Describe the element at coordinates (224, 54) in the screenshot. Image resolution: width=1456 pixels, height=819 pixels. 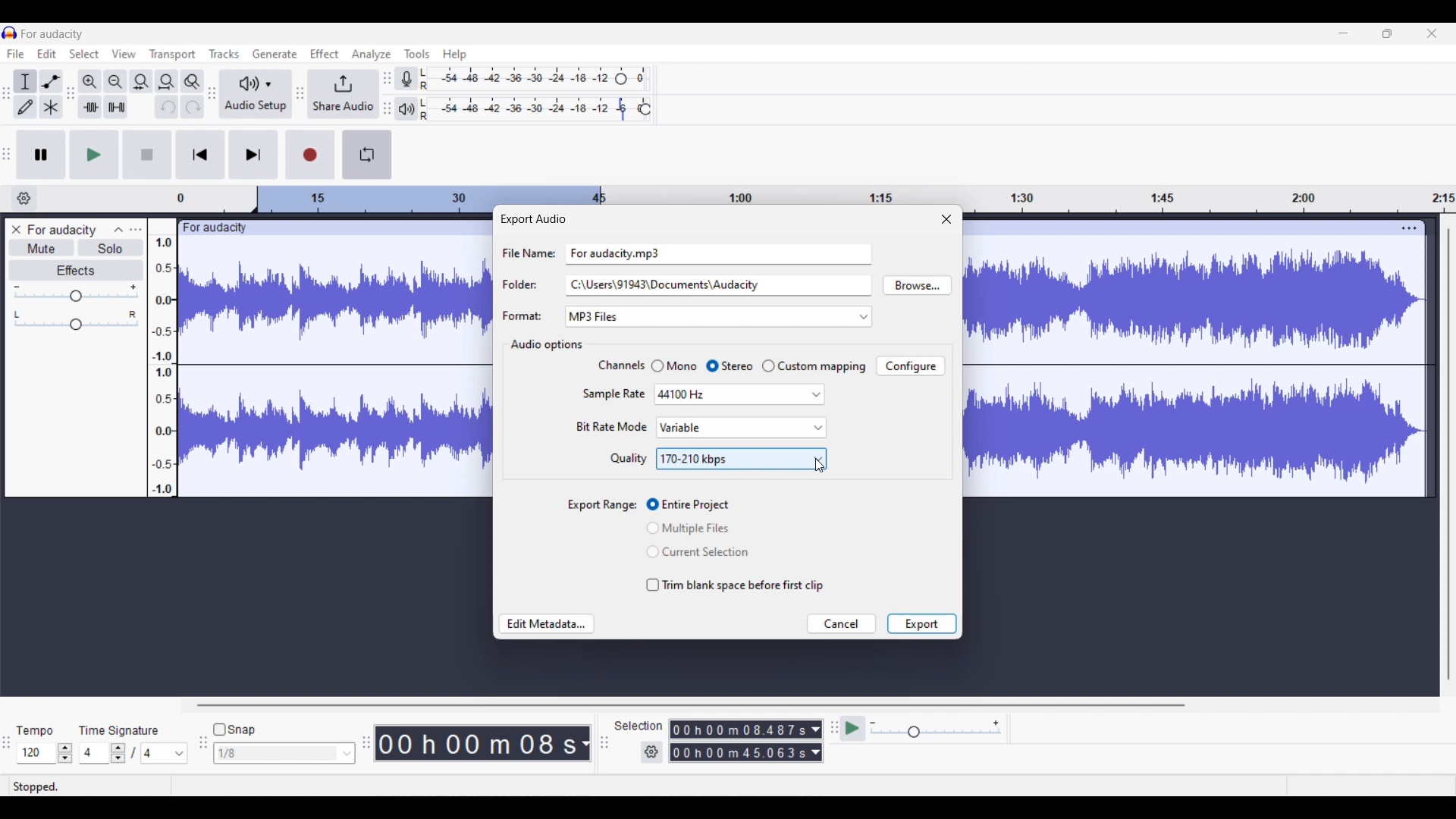
I see `Tracks menu` at that location.